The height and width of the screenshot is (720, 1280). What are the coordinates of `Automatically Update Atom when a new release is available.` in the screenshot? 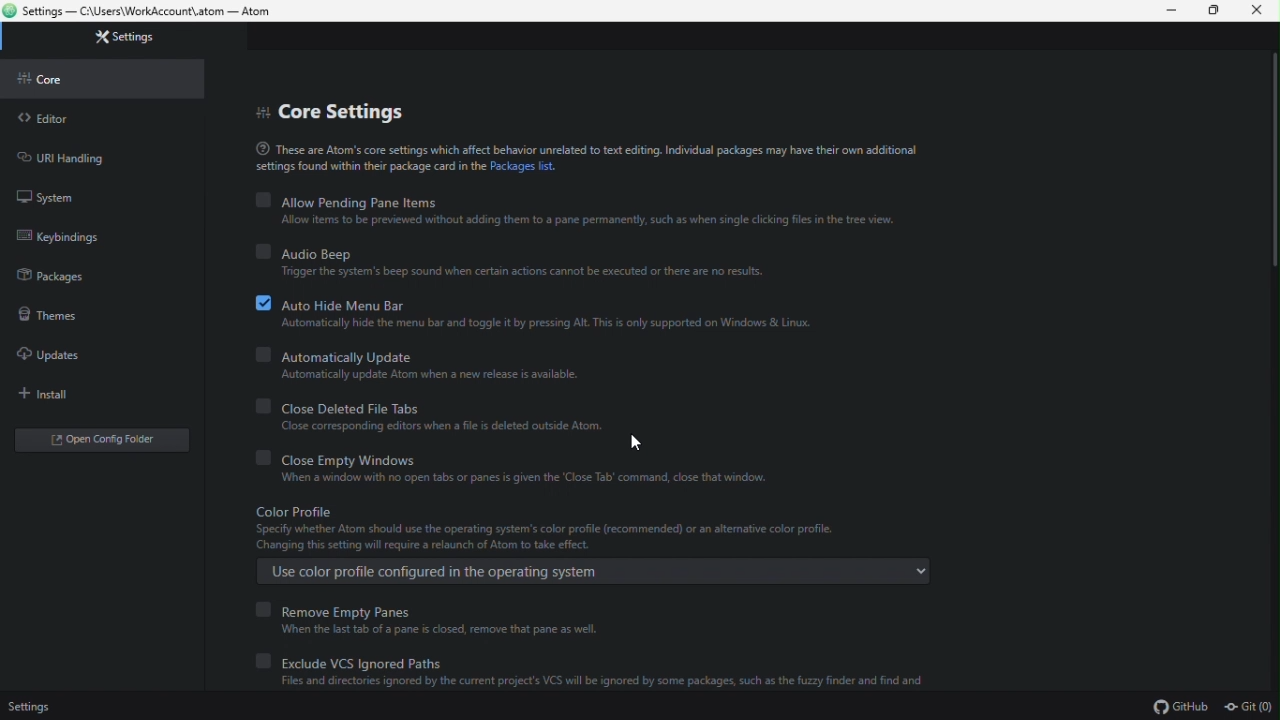 It's located at (427, 375).